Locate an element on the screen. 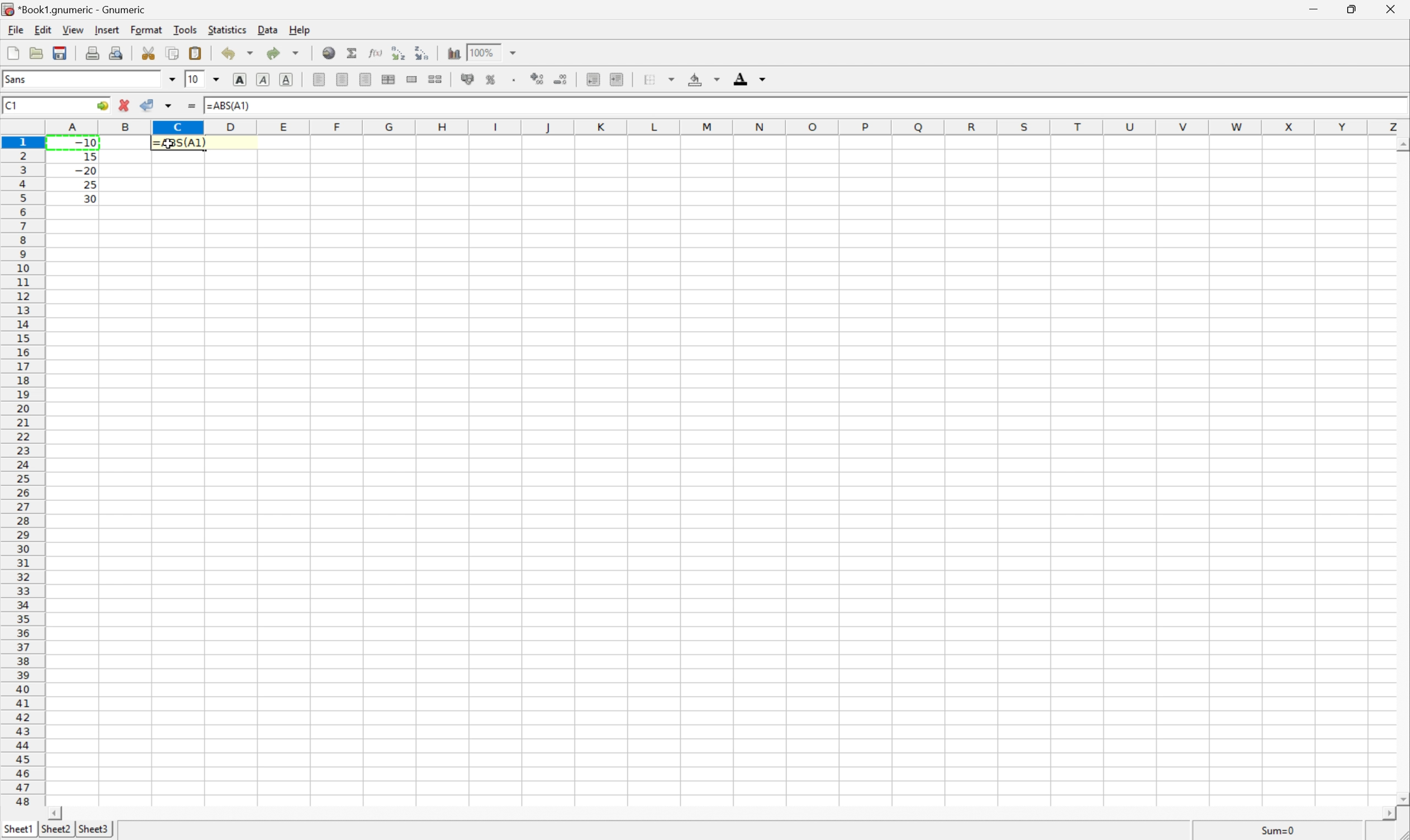 This screenshot has height=840, width=1410. Increase indent, and align the content to the left is located at coordinates (615, 79).